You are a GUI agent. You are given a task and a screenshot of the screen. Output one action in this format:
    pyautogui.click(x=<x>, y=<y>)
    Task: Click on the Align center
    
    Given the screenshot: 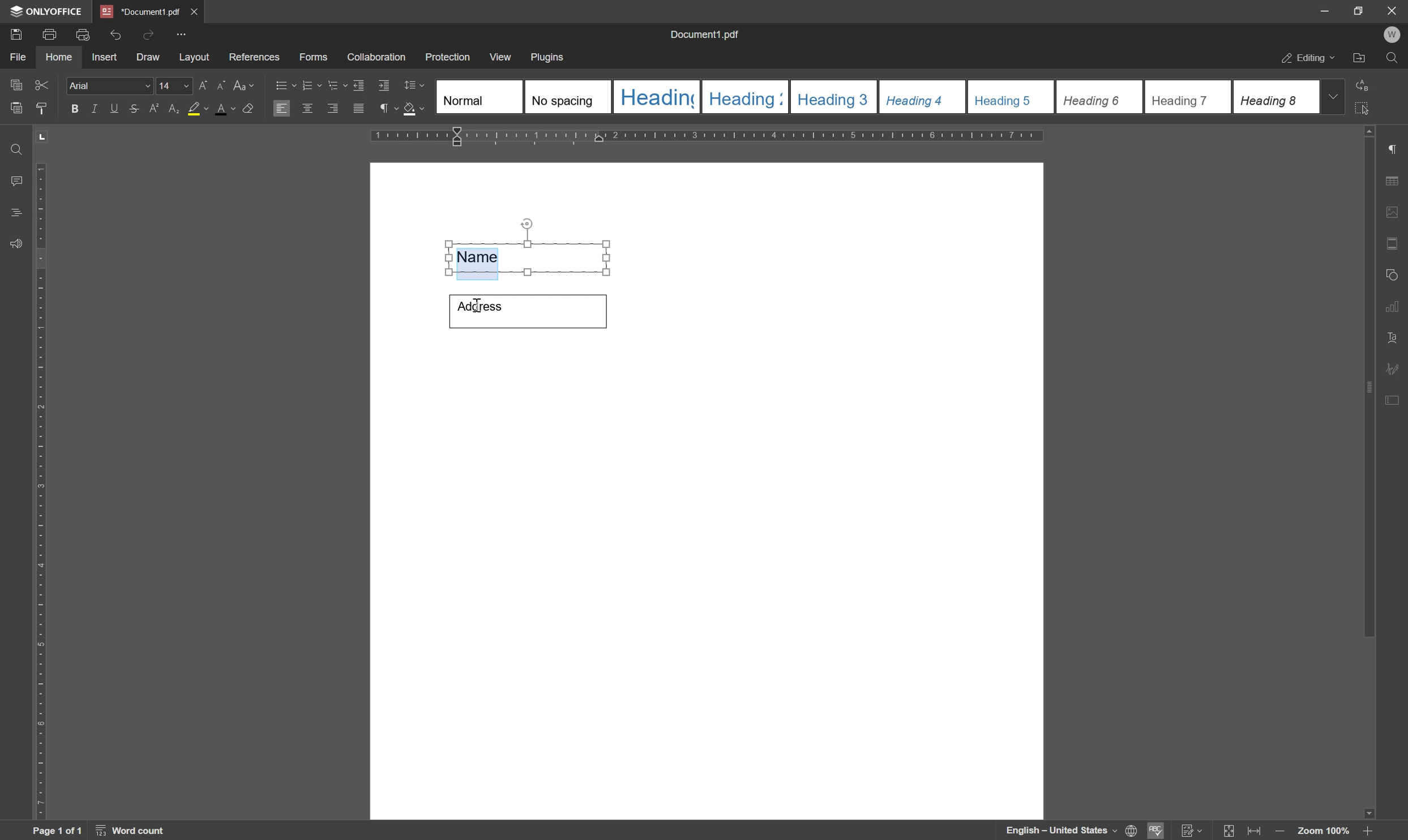 What is the action you would take?
    pyautogui.click(x=307, y=108)
    